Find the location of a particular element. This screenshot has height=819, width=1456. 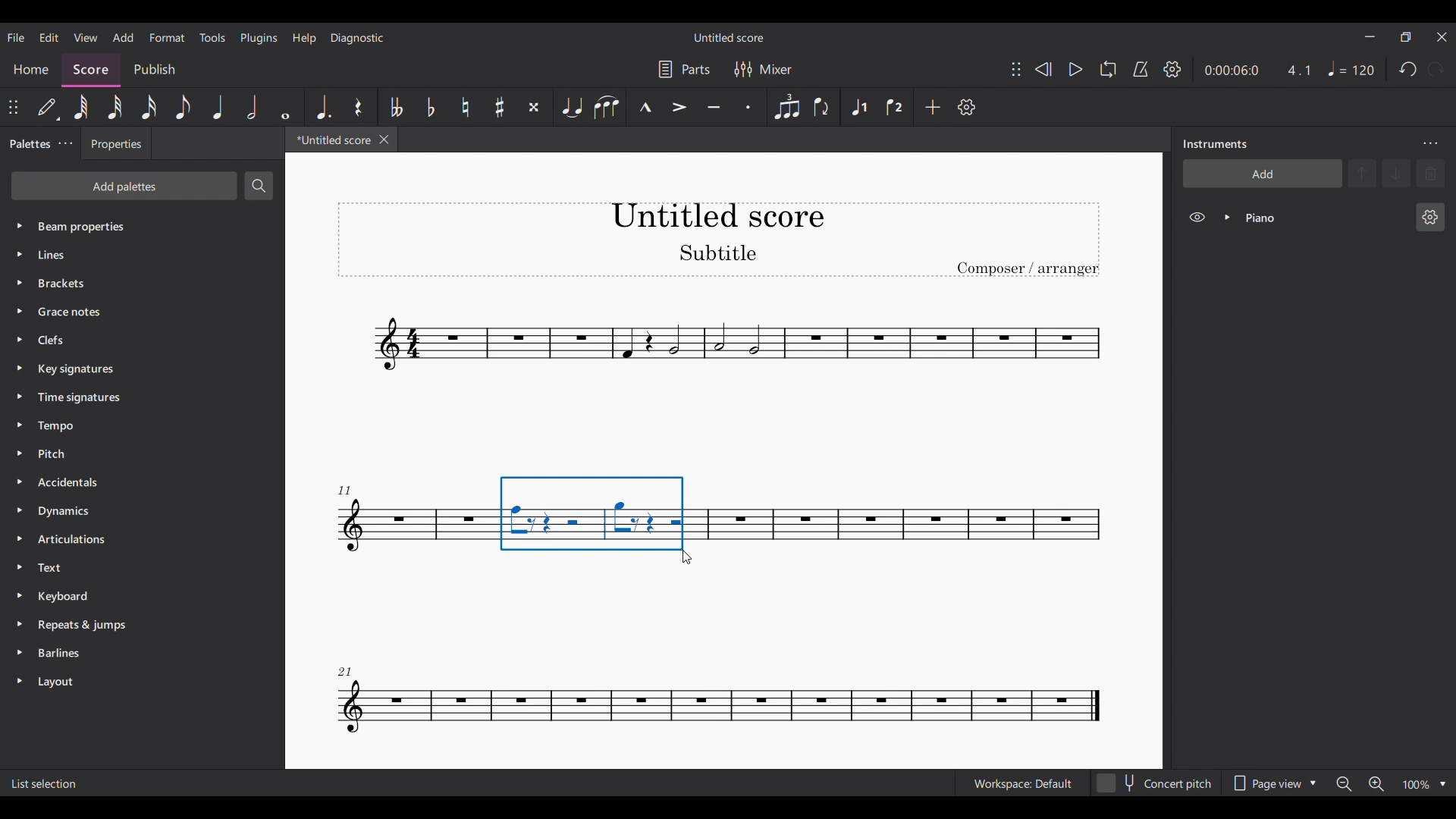

Current instrument is located at coordinates (1324, 218).